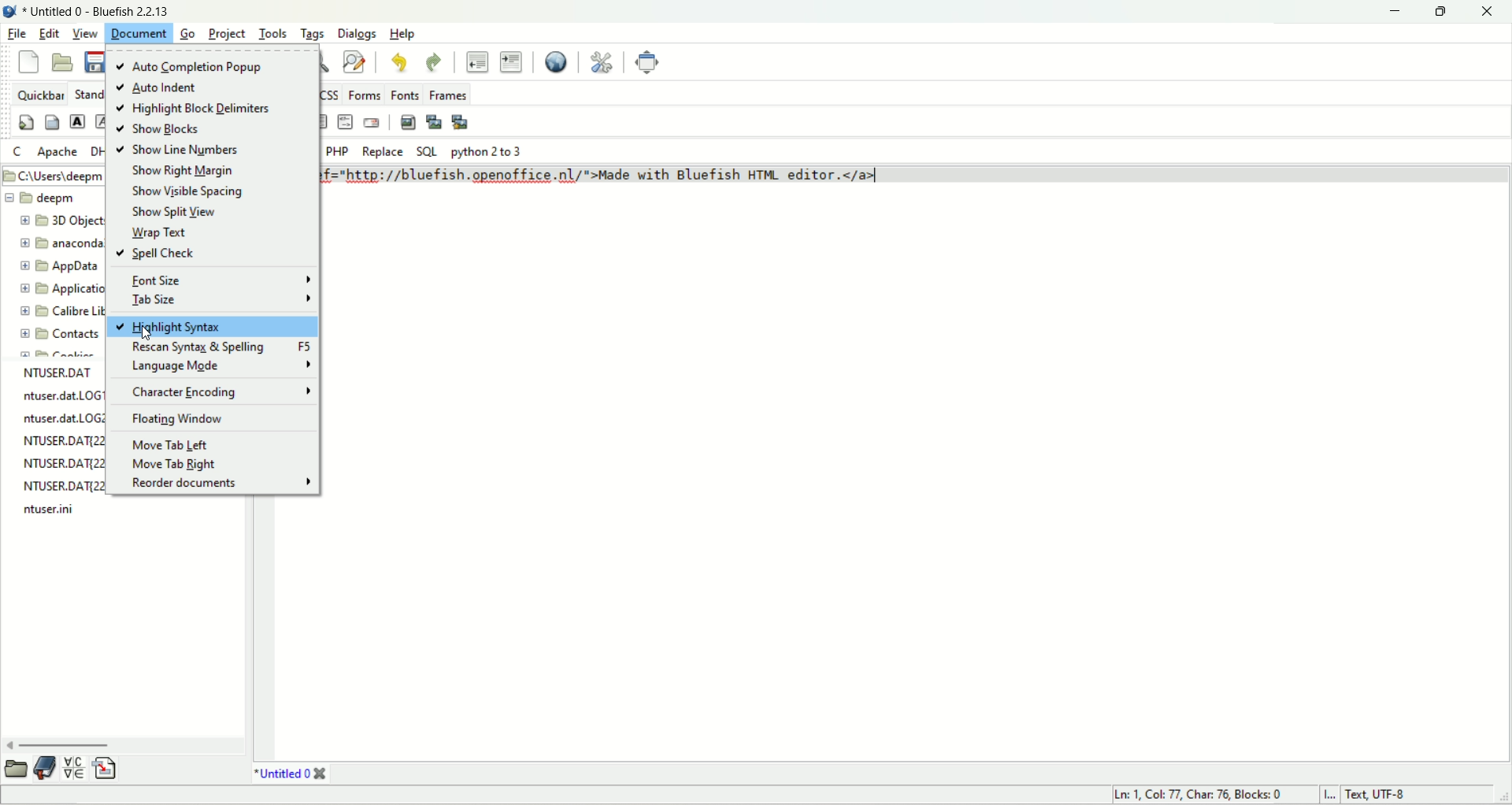 The image size is (1512, 805). I want to click on standard, so click(90, 94).